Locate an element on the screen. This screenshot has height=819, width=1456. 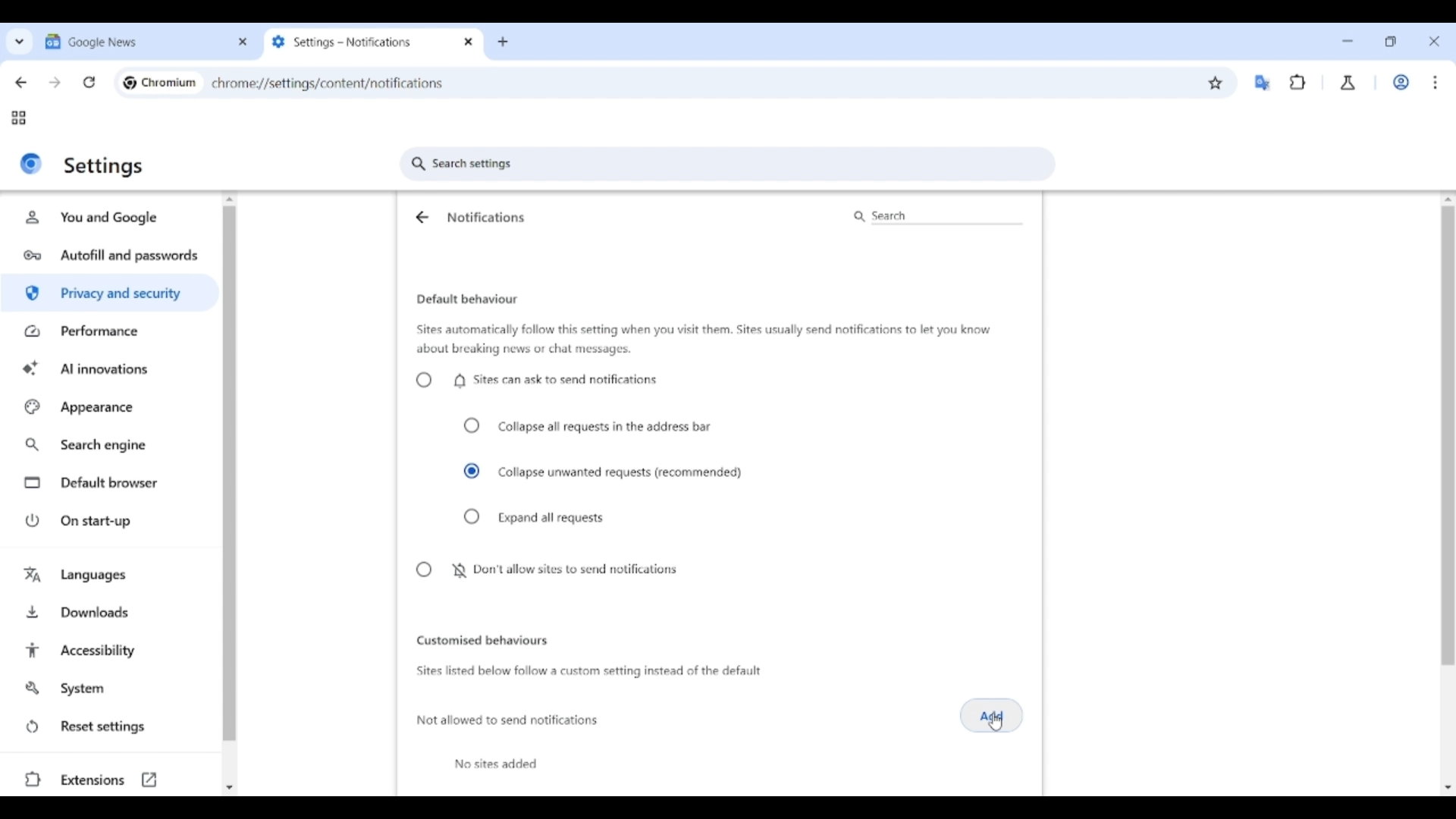
Chromium logo is located at coordinates (130, 83).